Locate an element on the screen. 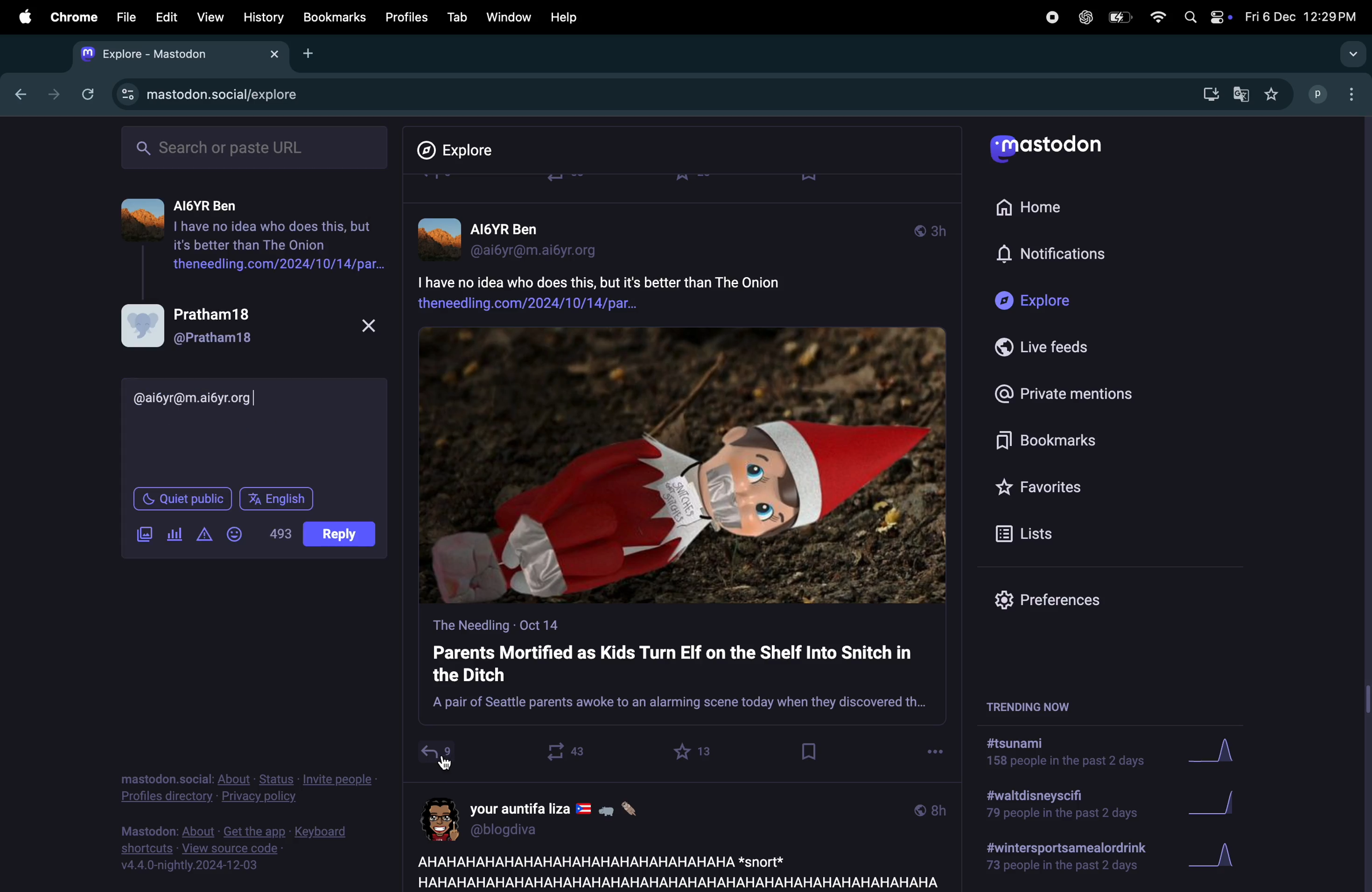 This screenshot has height=892, width=1372. user profile is located at coordinates (1336, 93).